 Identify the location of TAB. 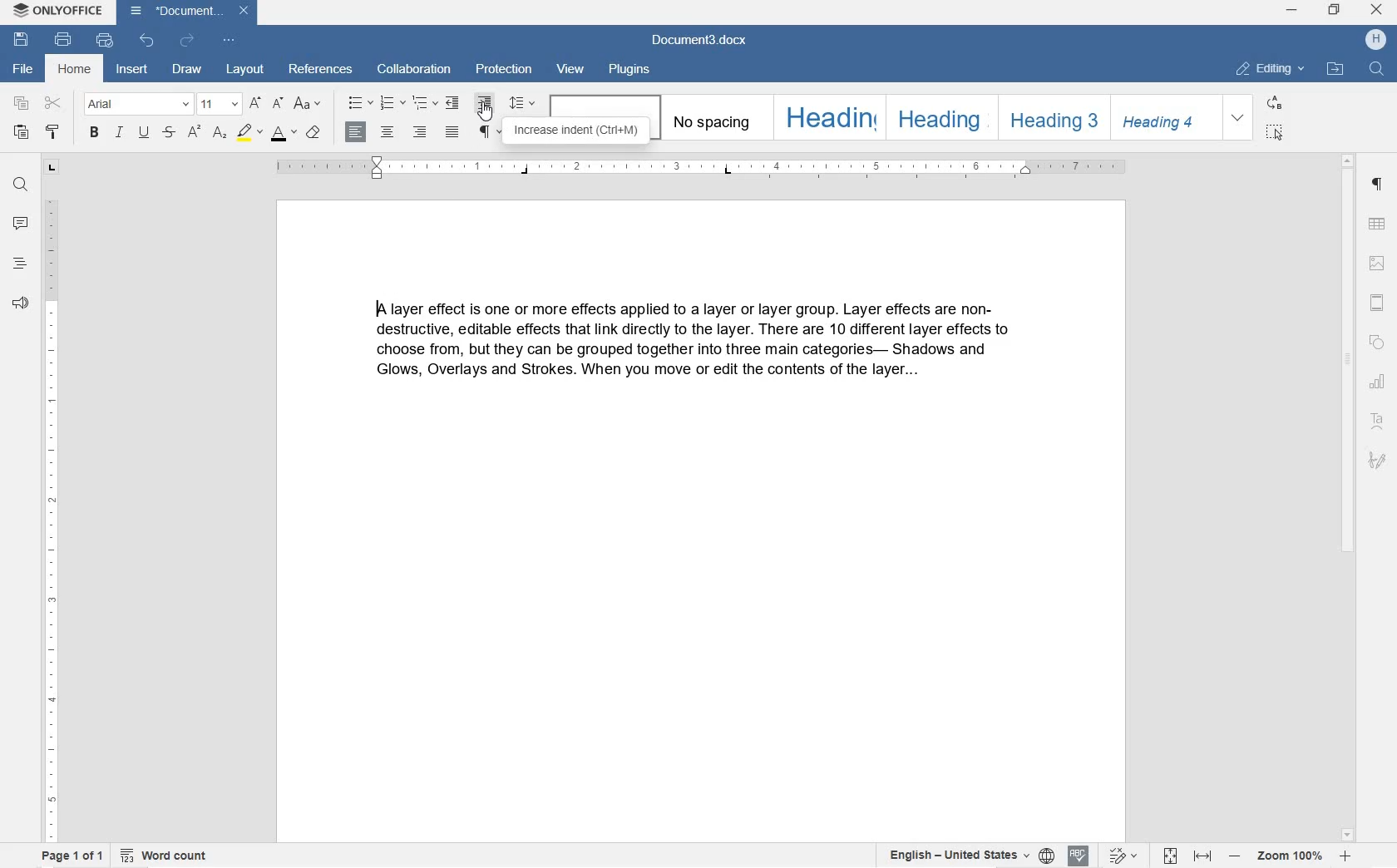
(51, 170).